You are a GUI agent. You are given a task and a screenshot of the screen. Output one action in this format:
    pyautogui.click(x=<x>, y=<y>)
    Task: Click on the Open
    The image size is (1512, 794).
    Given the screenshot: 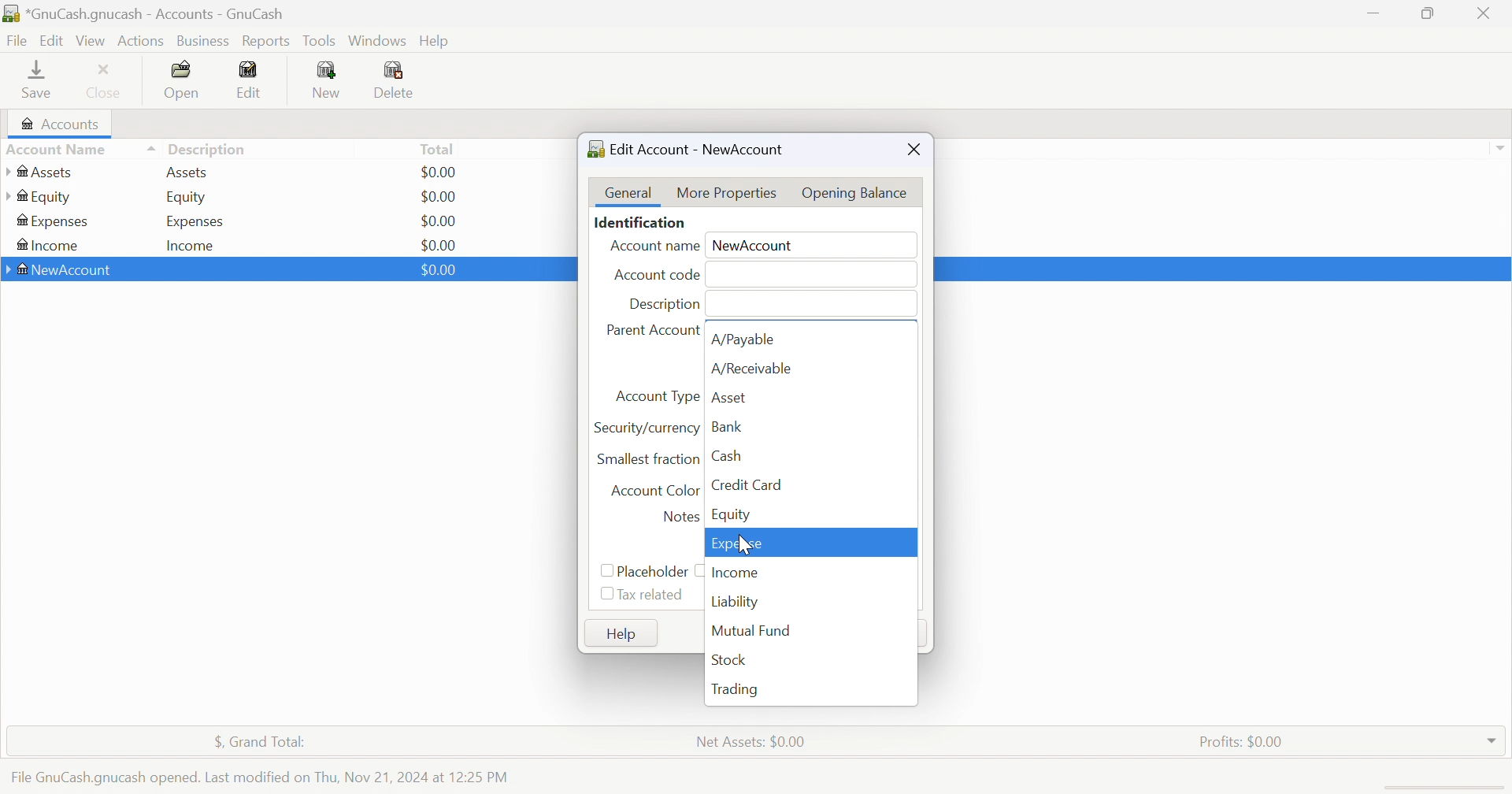 What is the action you would take?
    pyautogui.click(x=183, y=80)
    